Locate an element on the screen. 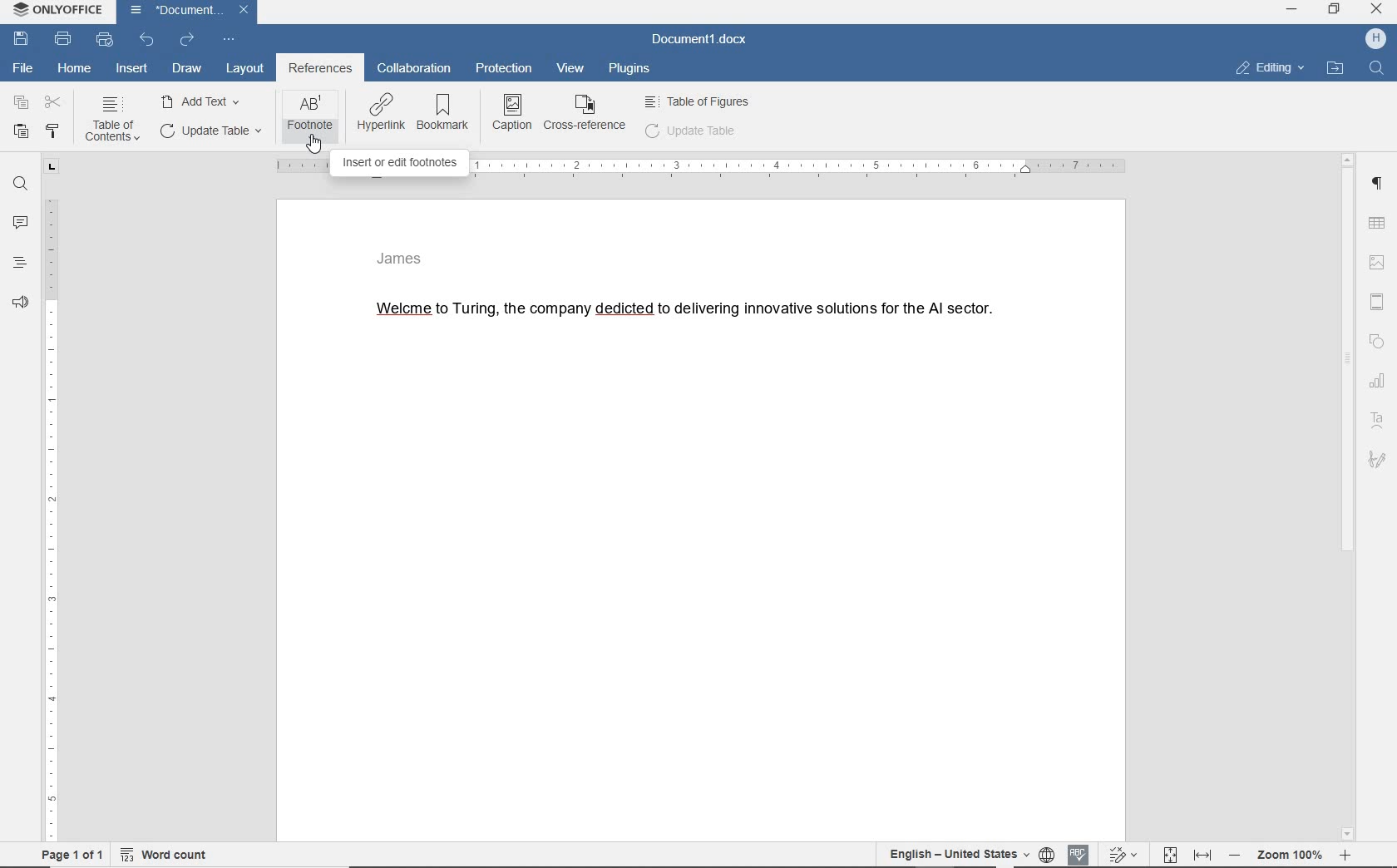 This screenshot has width=1397, height=868. FIND is located at coordinates (1376, 68).